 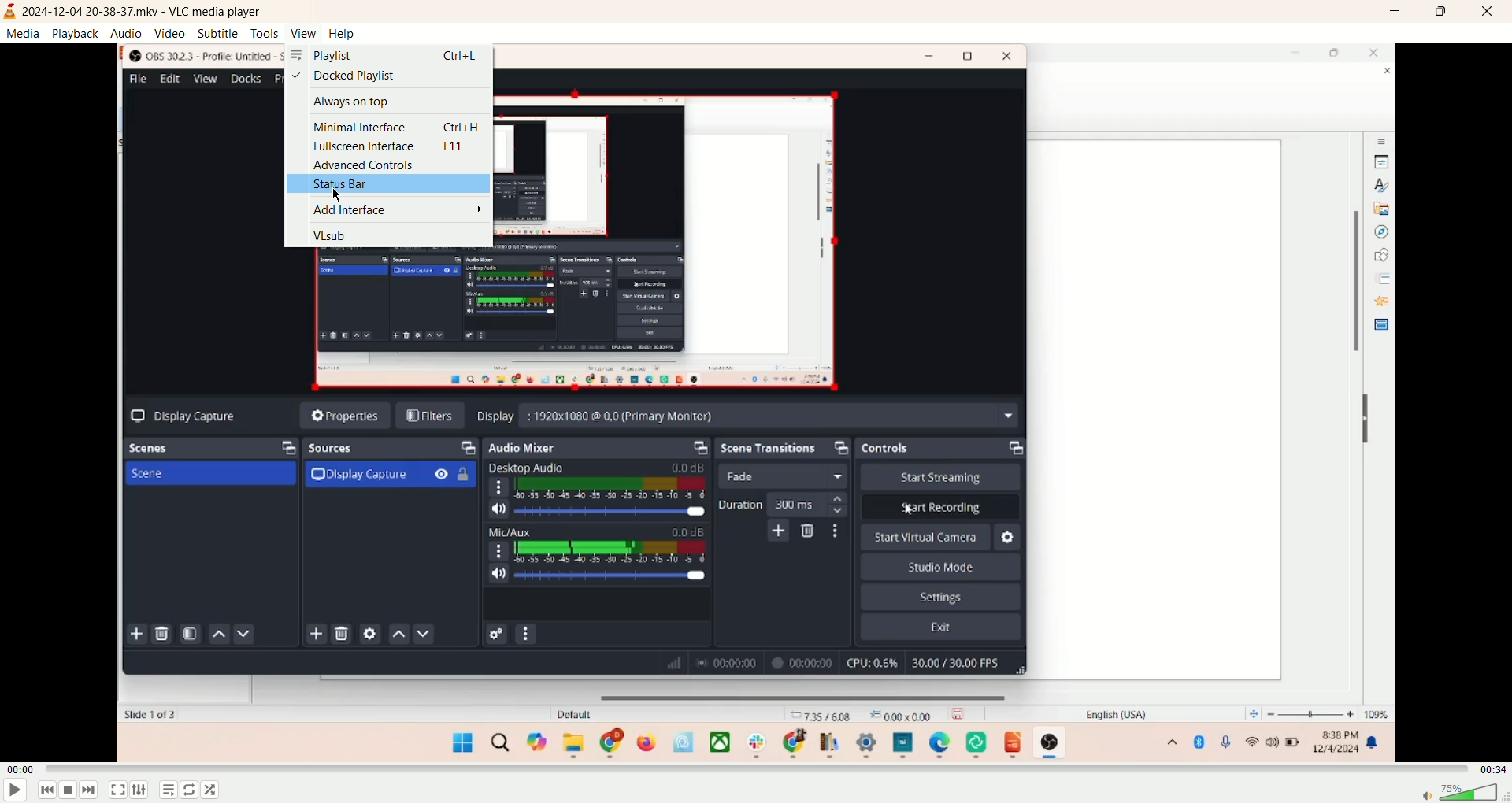 What do you see at coordinates (1460, 791) in the screenshot?
I see `volume bar` at bounding box center [1460, 791].